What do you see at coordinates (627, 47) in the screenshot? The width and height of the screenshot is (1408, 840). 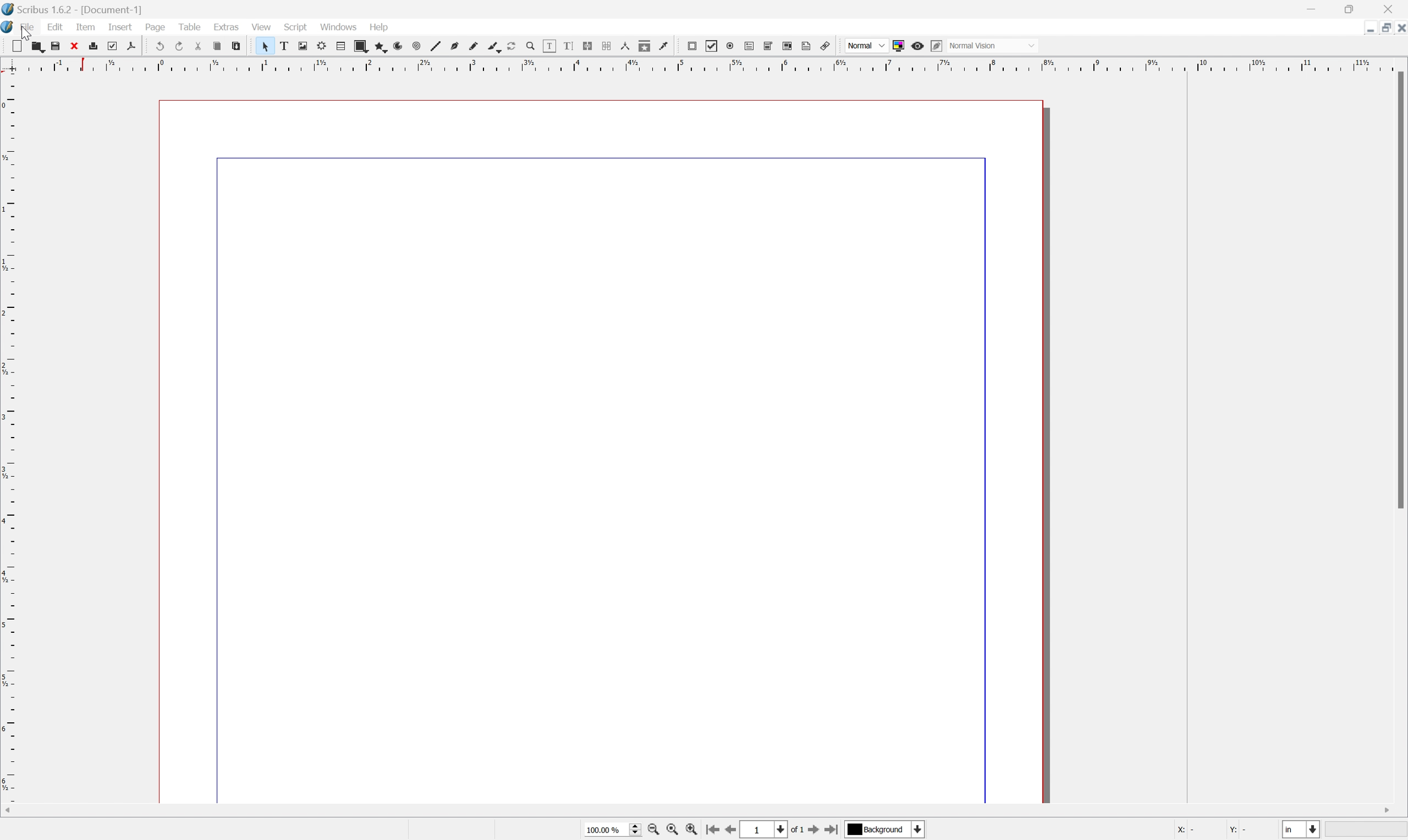 I see `Measurements` at bounding box center [627, 47].